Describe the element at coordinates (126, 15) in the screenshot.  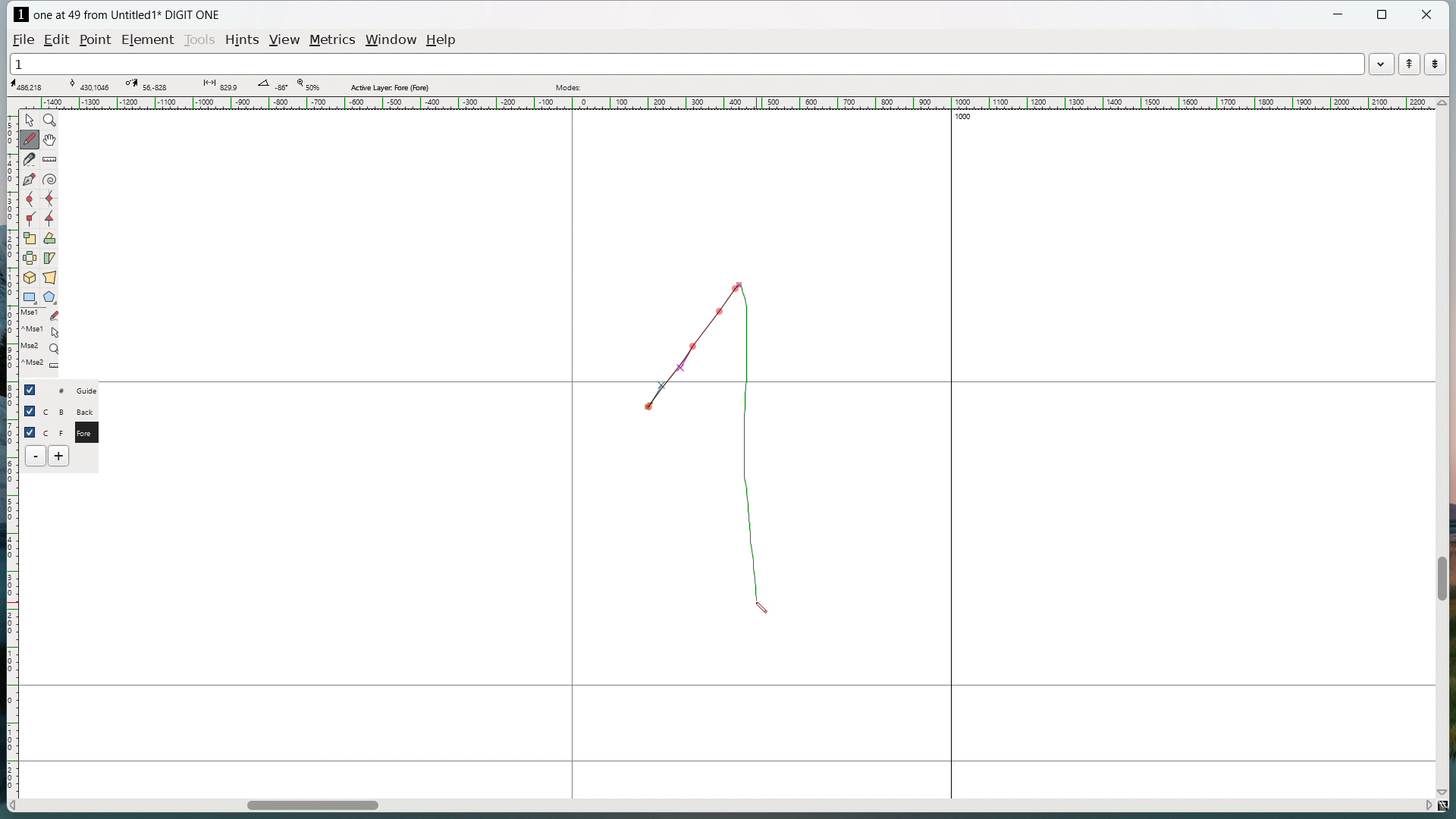
I see `one at 49 from Untitled1 DIGIT ONE` at that location.